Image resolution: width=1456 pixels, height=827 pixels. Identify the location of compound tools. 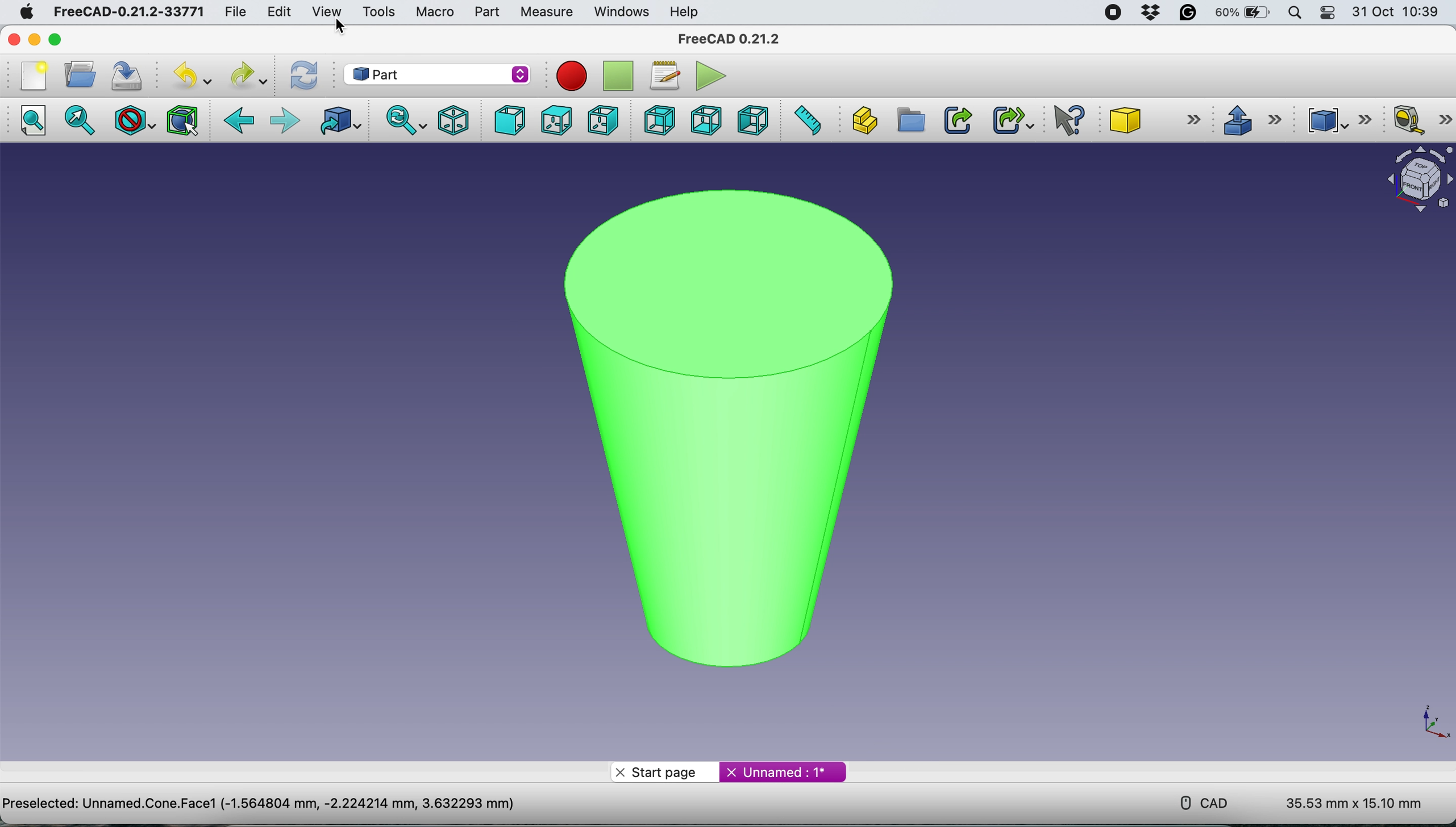
(1336, 118).